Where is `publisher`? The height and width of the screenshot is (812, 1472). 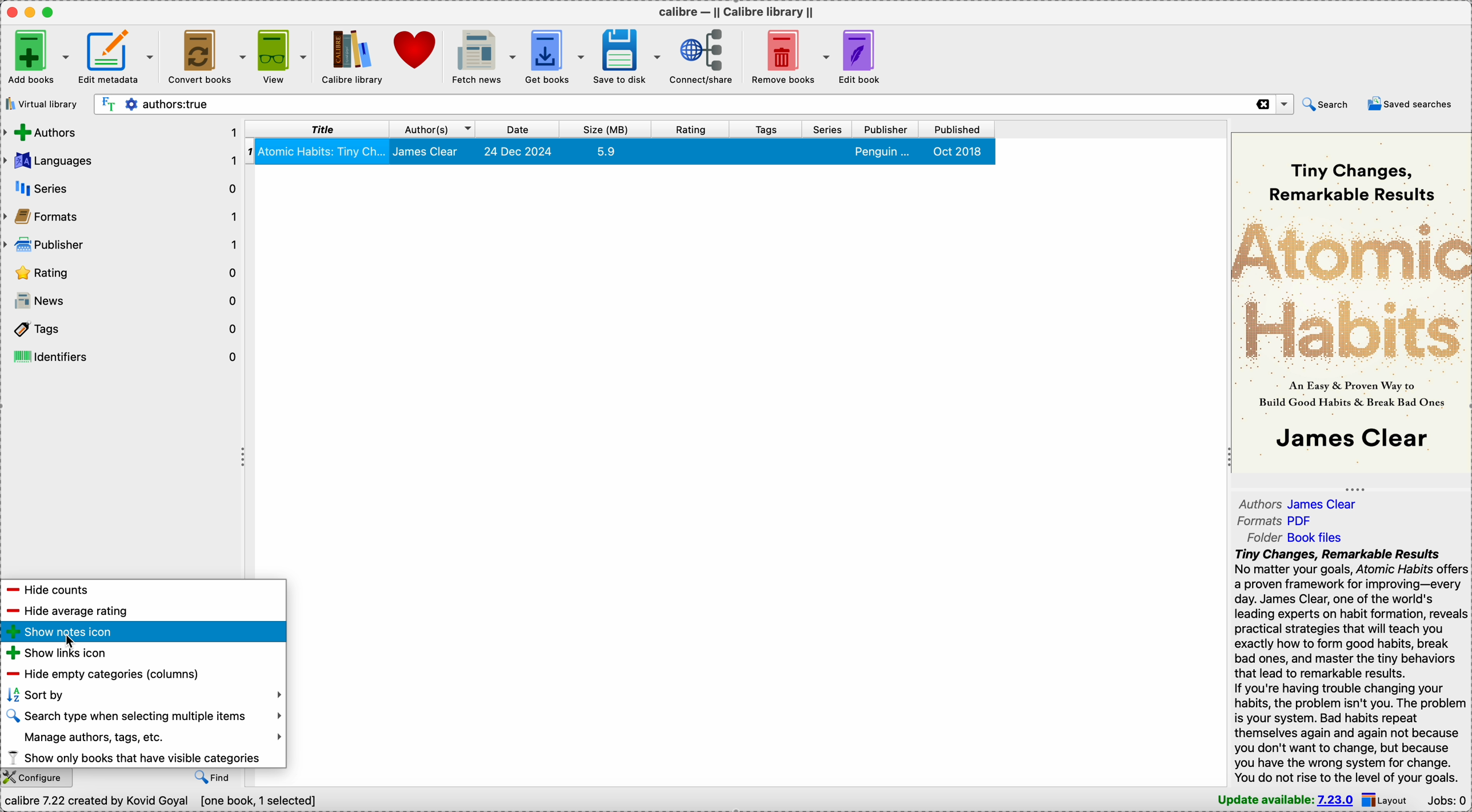
publisher is located at coordinates (887, 129).